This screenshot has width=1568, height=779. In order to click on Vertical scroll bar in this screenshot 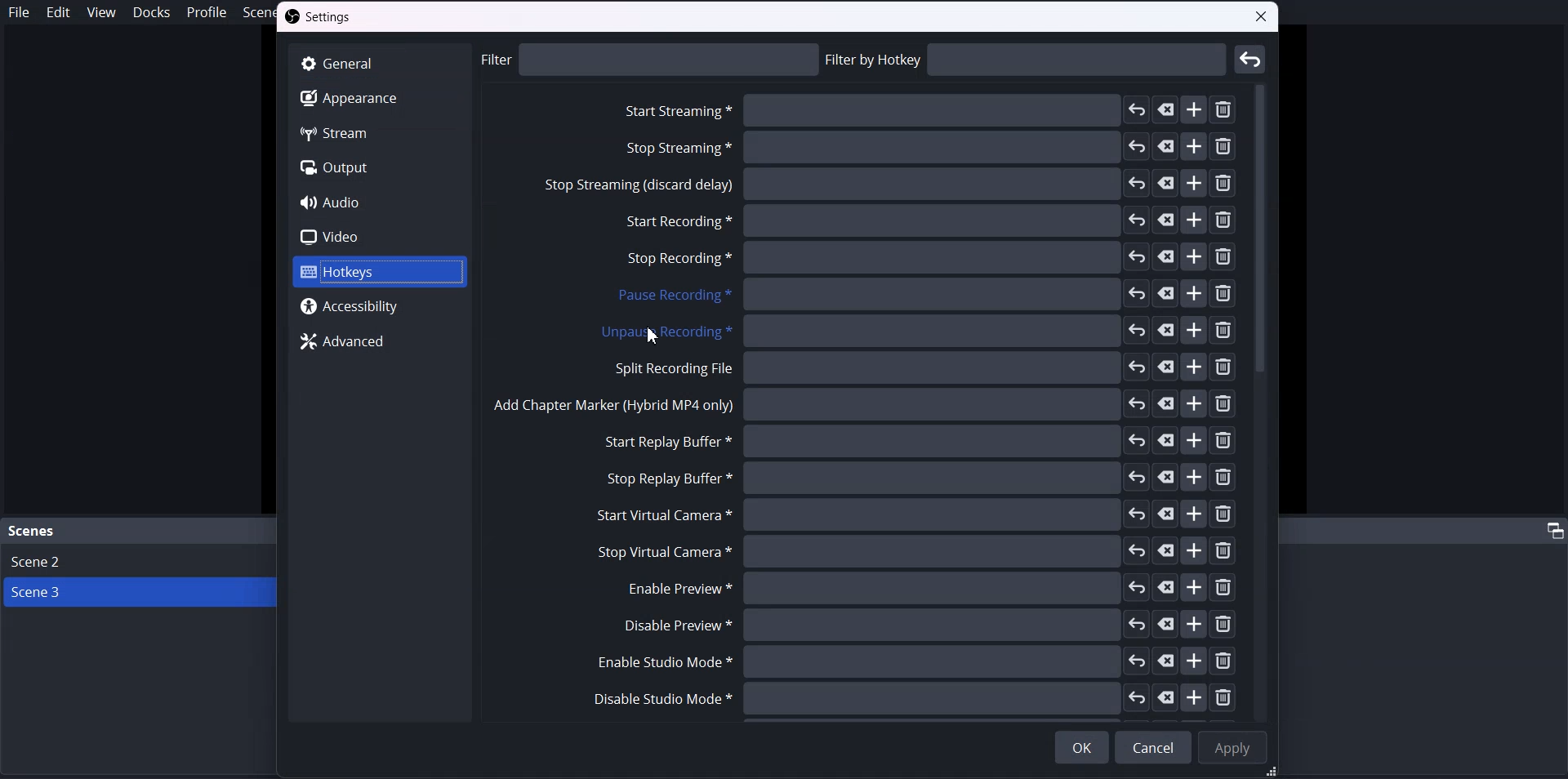, I will do `click(1263, 400)`.